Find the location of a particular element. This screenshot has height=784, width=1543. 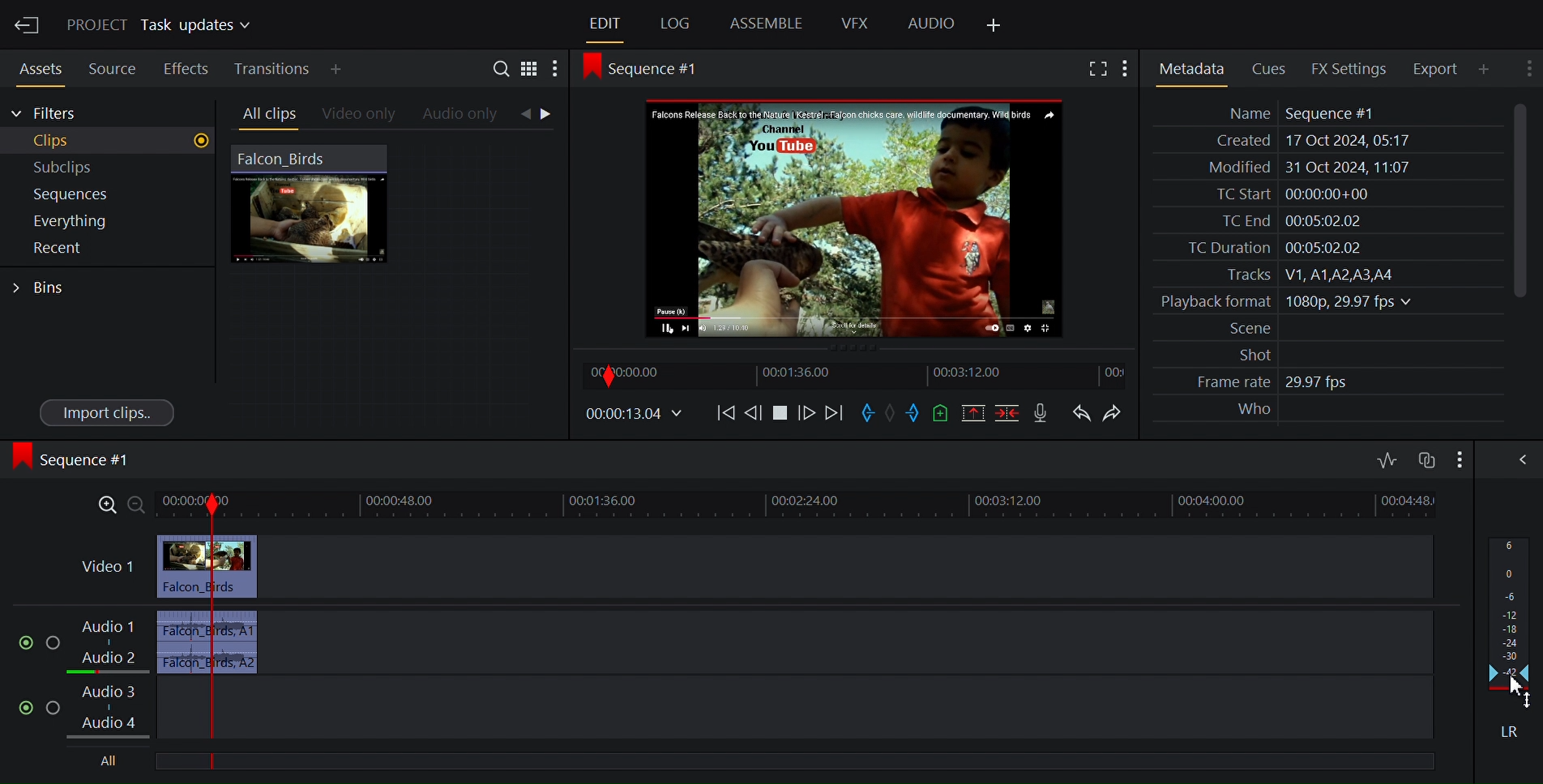

Solo this track is located at coordinates (53, 638).